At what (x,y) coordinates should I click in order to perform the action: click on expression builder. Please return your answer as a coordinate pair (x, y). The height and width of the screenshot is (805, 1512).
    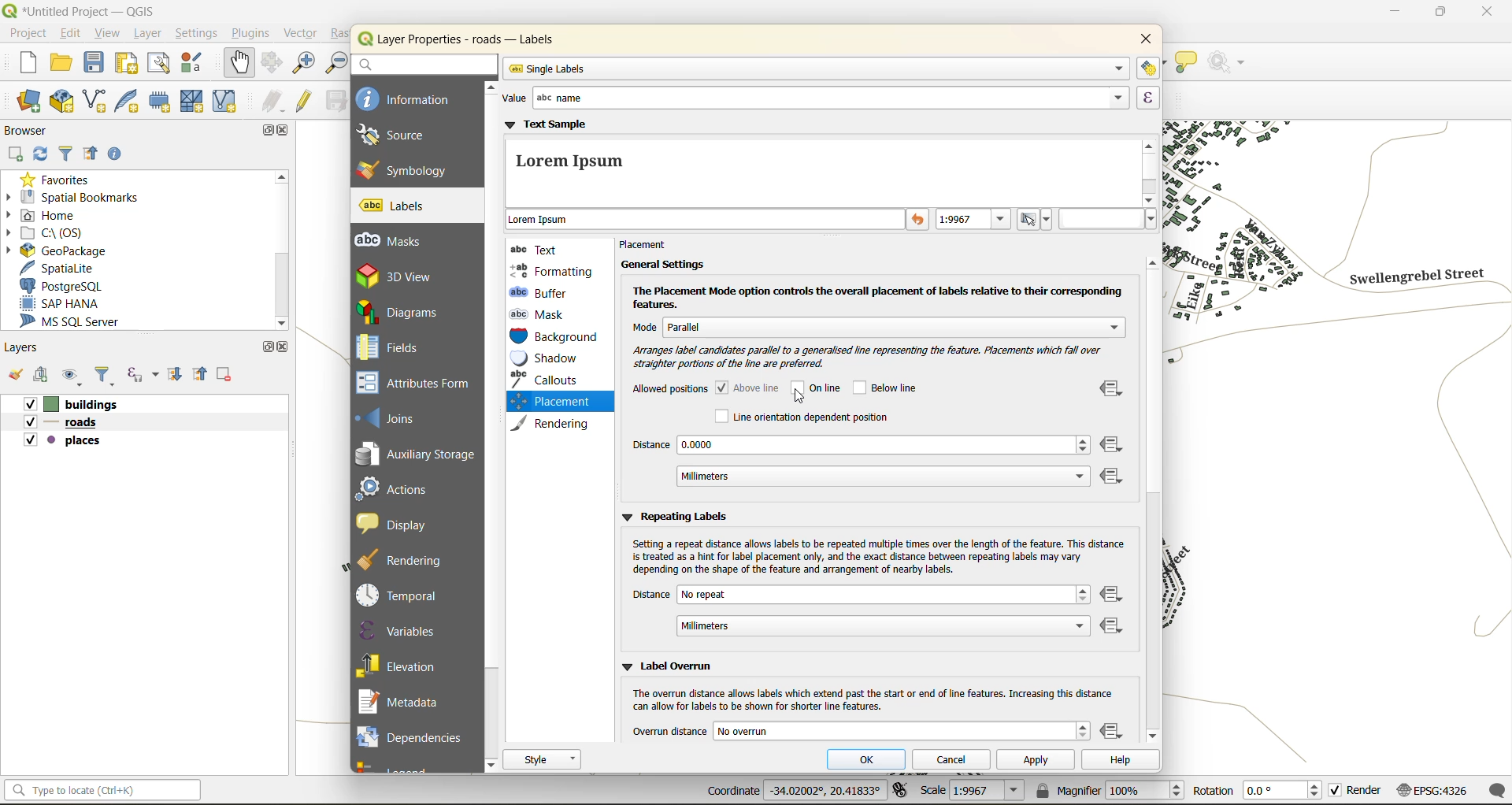
    Looking at the image, I should click on (1148, 98).